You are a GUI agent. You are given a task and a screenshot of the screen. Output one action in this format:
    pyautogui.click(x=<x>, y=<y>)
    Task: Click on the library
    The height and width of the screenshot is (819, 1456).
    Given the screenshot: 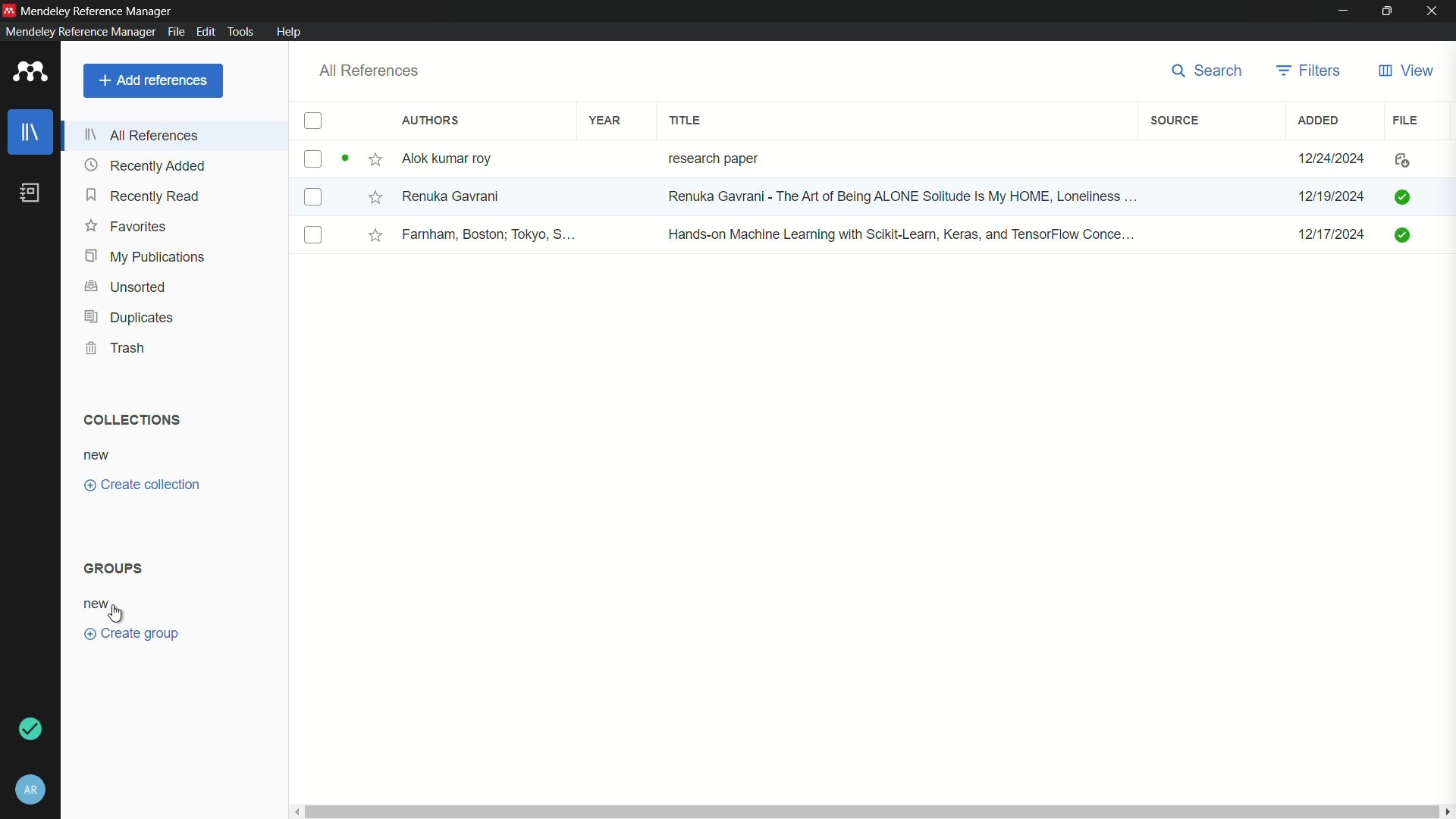 What is the action you would take?
    pyautogui.click(x=33, y=133)
    